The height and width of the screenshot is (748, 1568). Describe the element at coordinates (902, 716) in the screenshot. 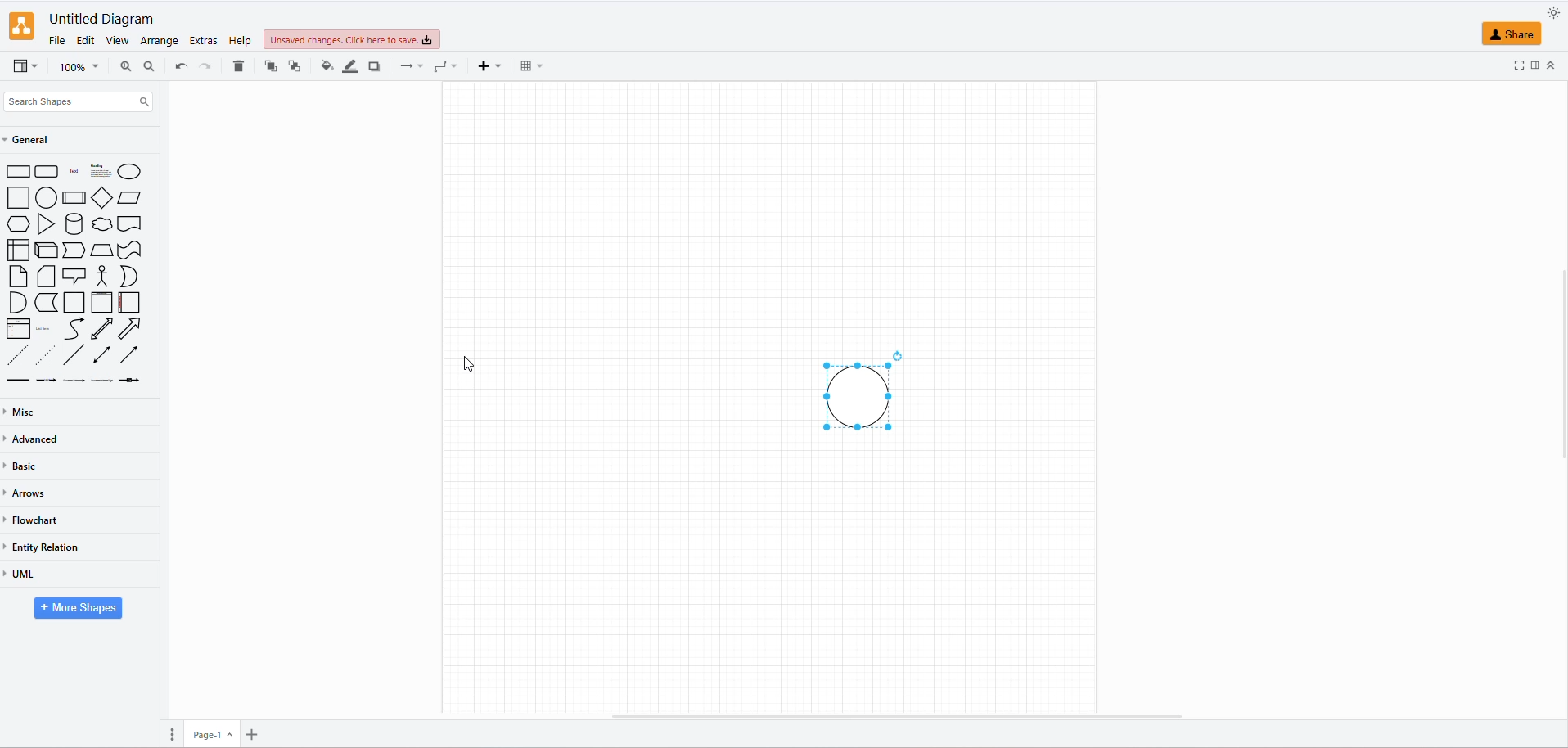

I see `scroll bar` at that location.